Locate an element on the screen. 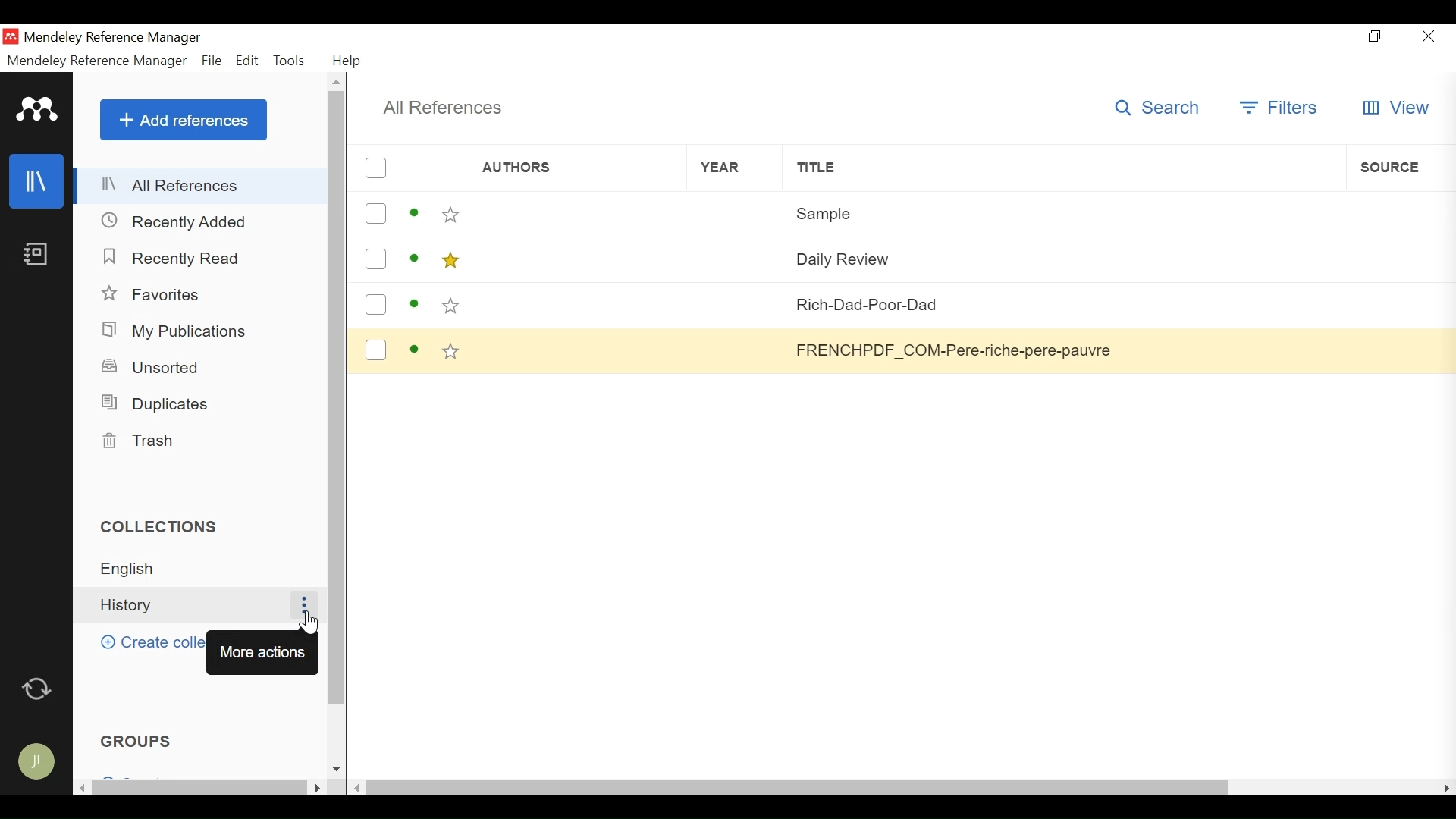  Trash is located at coordinates (143, 441).